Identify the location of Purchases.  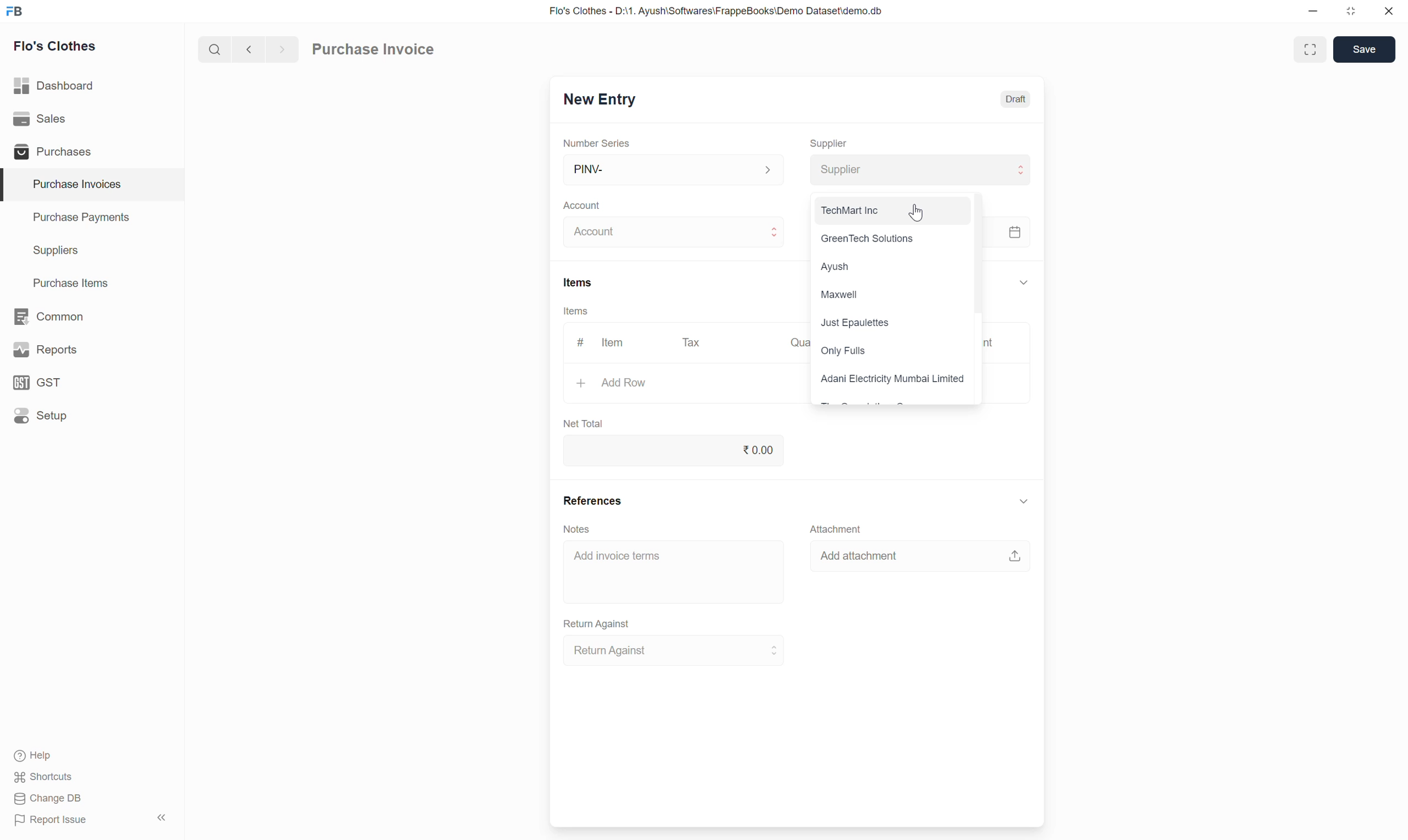
(91, 151).